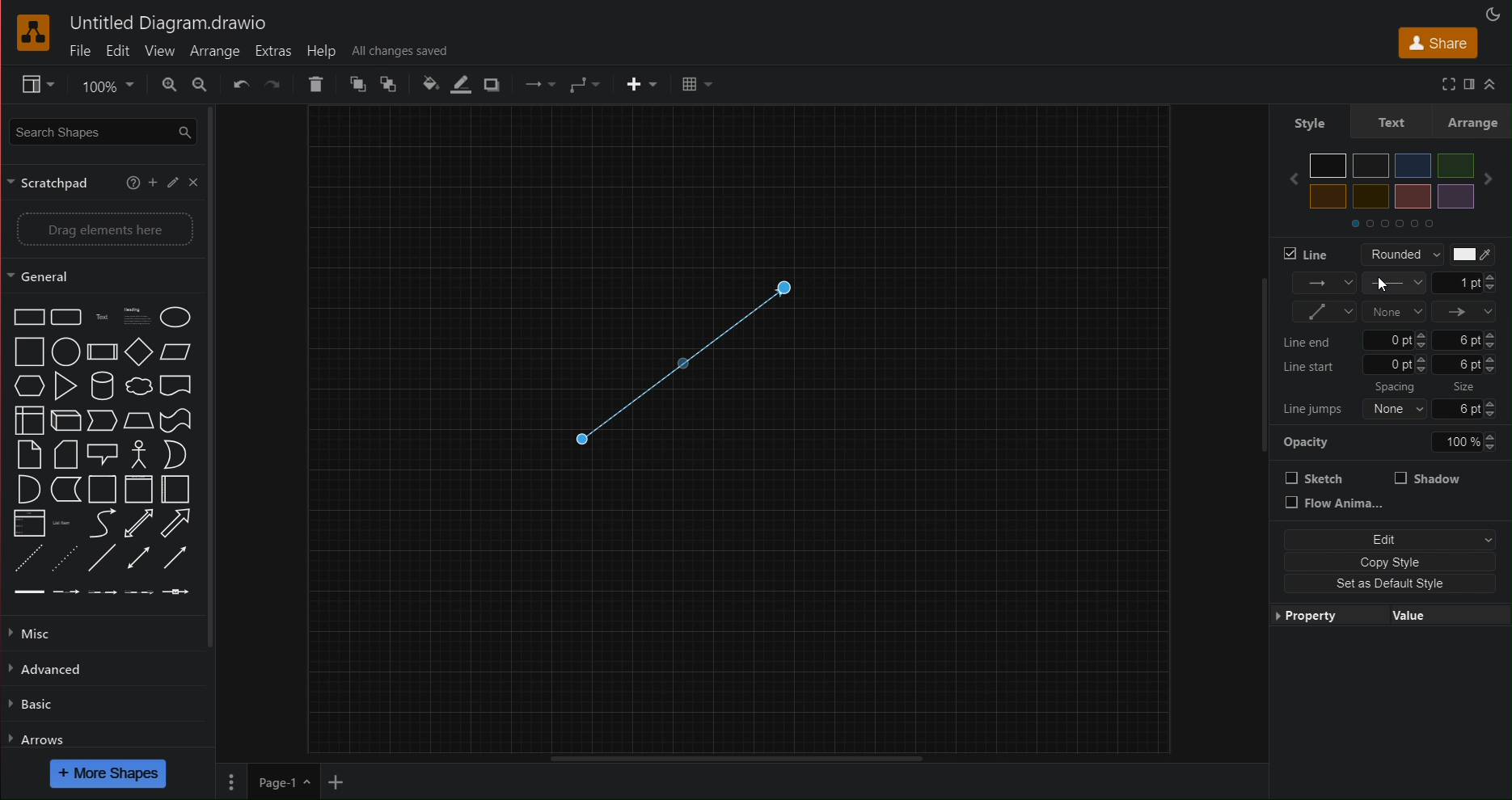  I want to click on , so click(1442, 82).